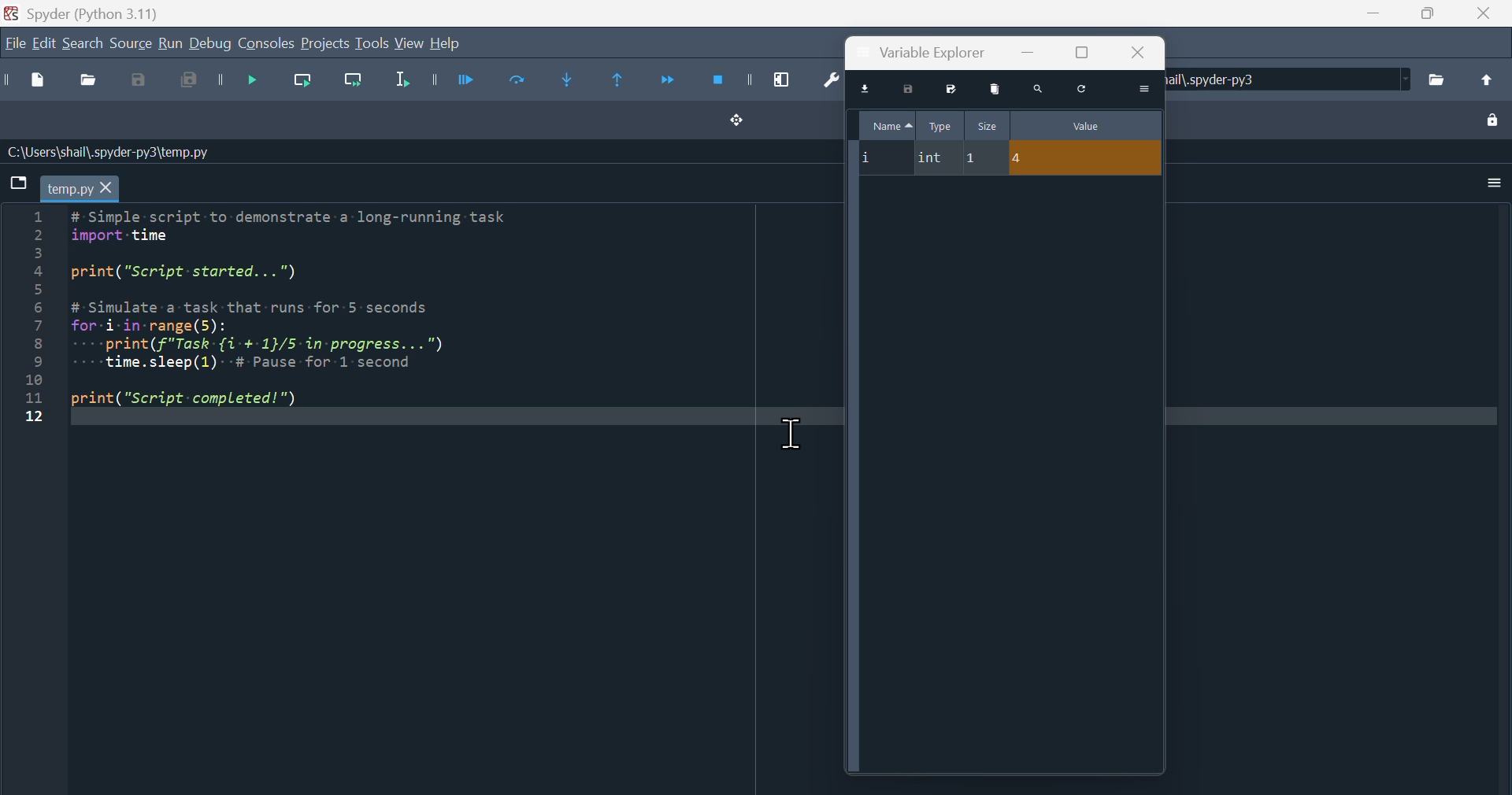  Describe the element at coordinates (1437, 79) in the screenshot. I see `browse a working directory` at that location.